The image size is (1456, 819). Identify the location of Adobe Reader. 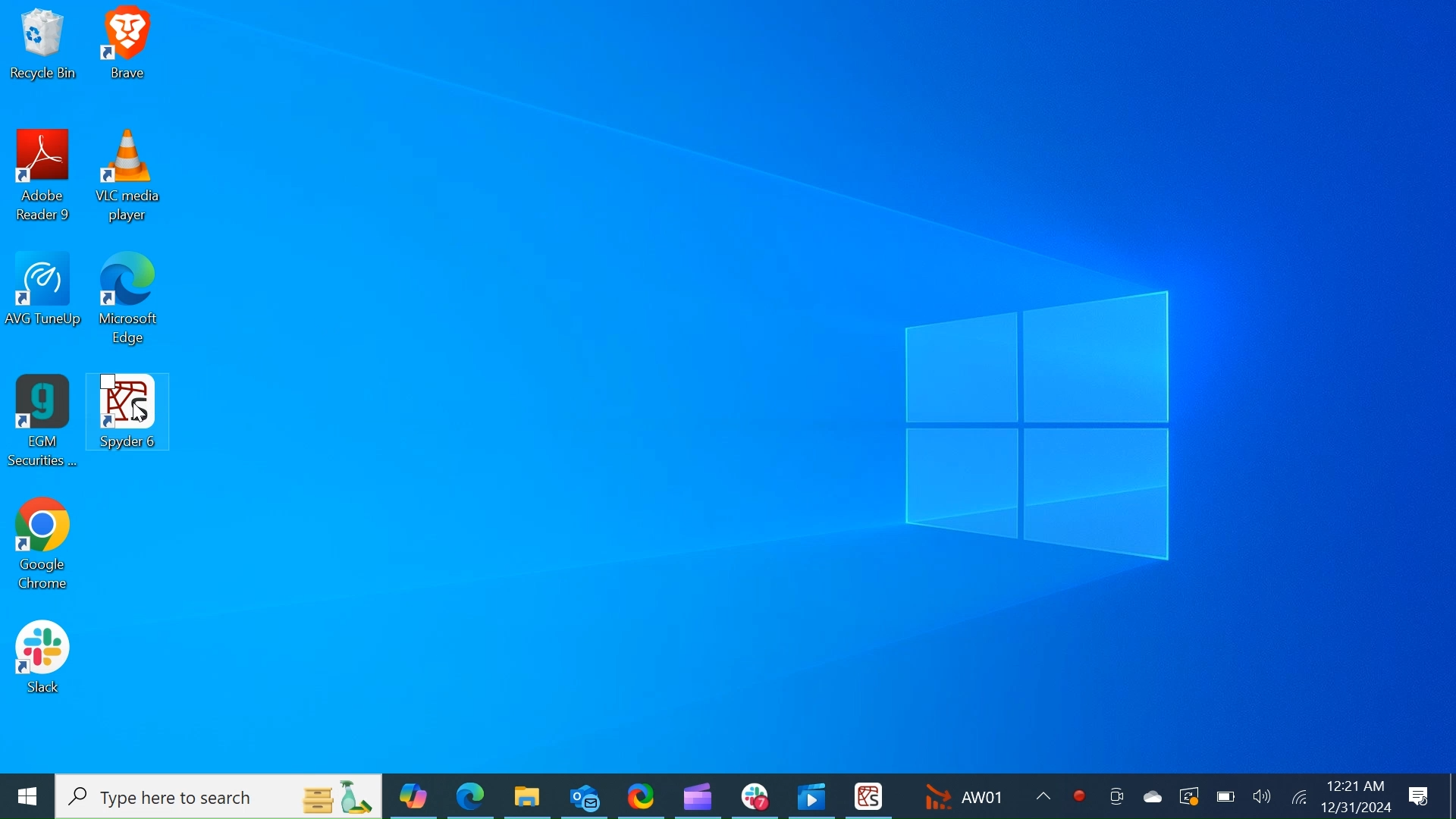
(45, 180).